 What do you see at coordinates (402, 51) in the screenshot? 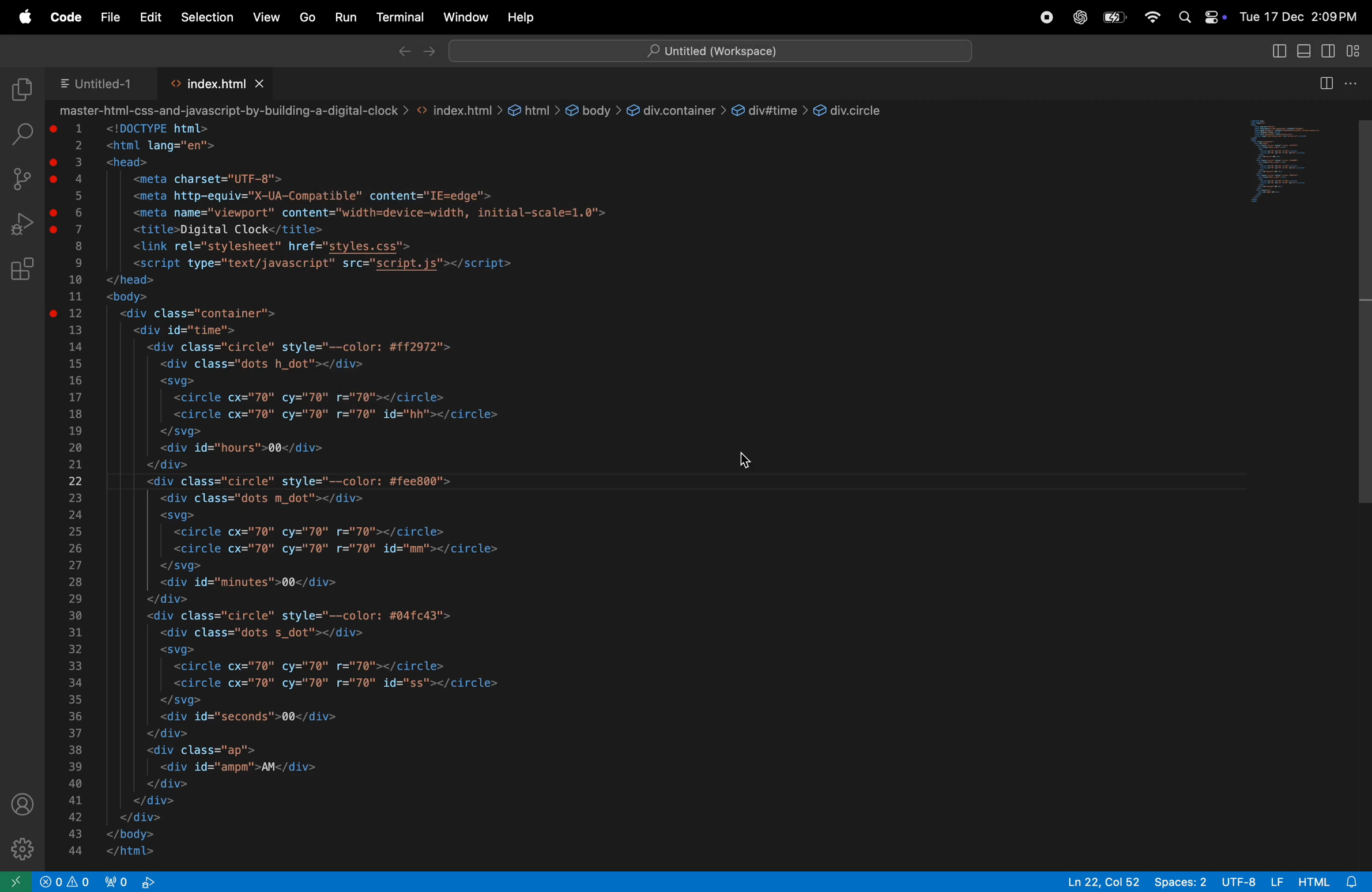
I see `Backward` at bounding box center [402, 51].